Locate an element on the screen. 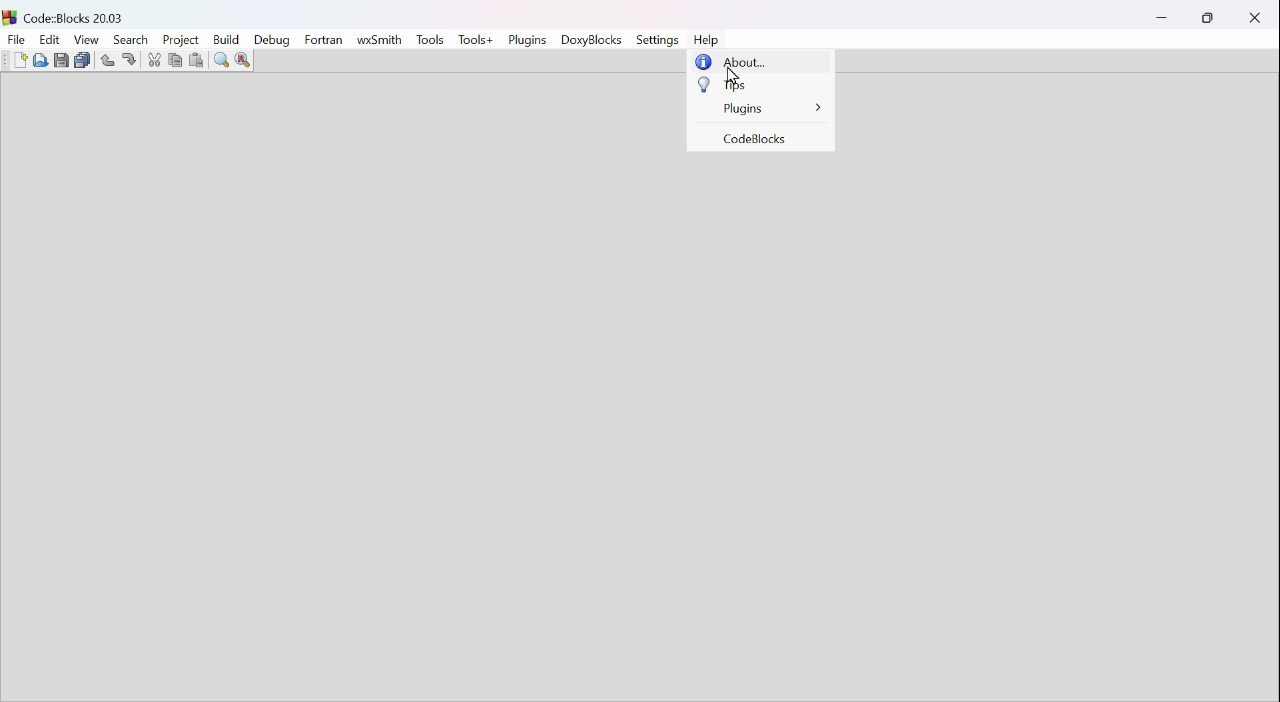 The image size is (1280, 702). Close is located at coordinates (1253, 20).